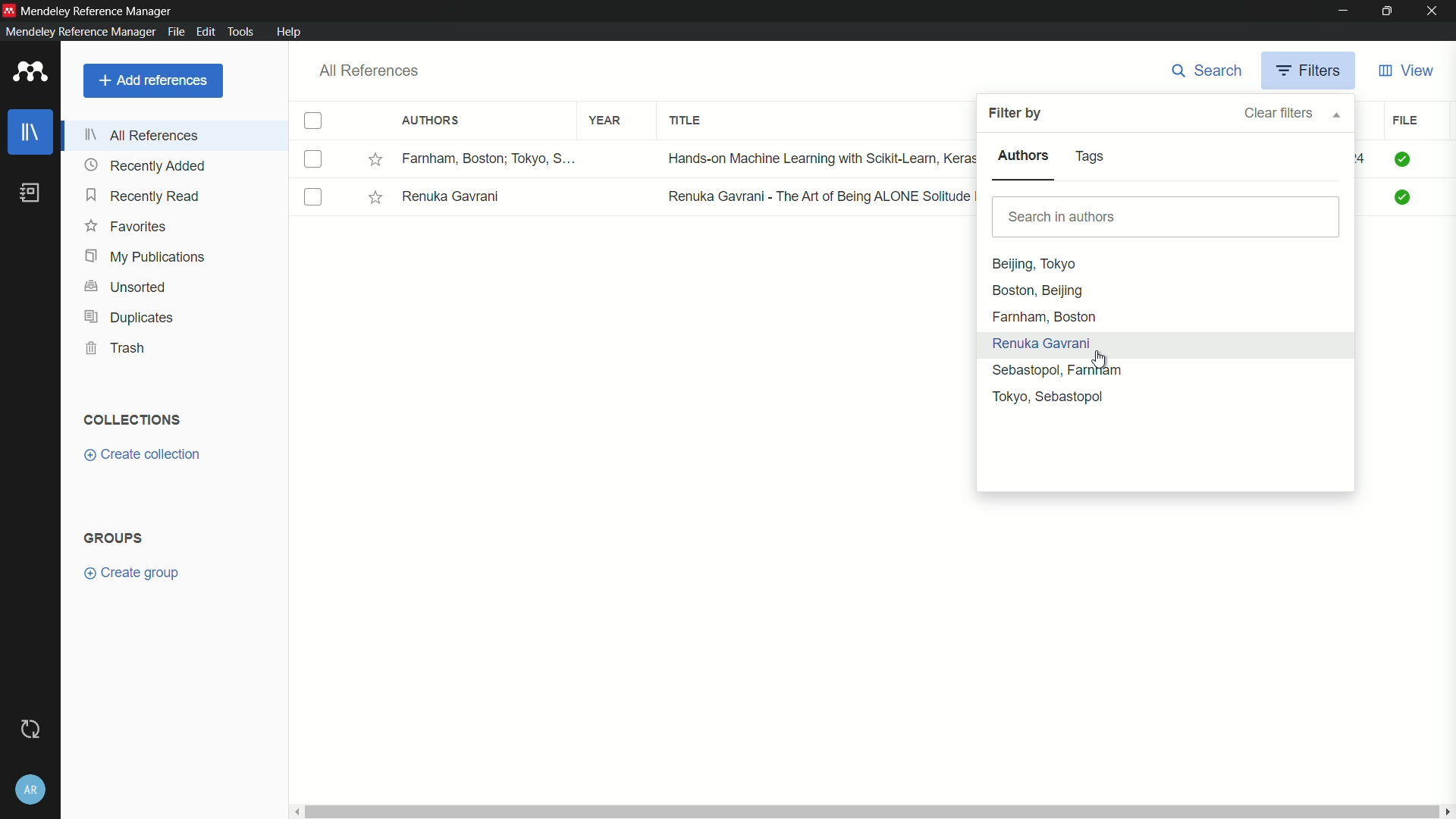  What do you see at coordinates (1093, 158) in the screenshot?
I see `tags` at bounding box center [1093, 158].